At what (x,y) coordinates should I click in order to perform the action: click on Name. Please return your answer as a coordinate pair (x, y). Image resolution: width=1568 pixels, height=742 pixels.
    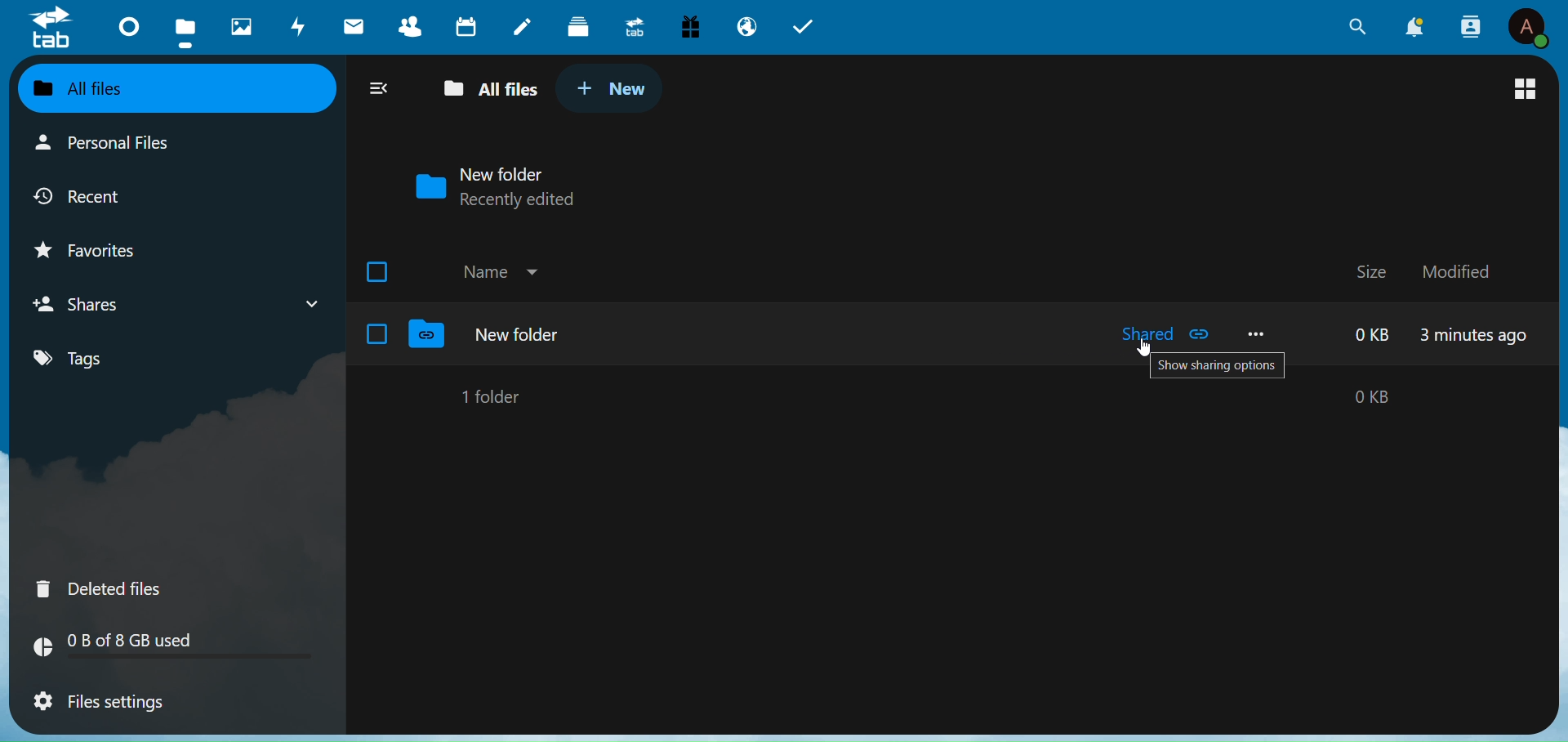
    Looking at the image, I should click on (483, 272).